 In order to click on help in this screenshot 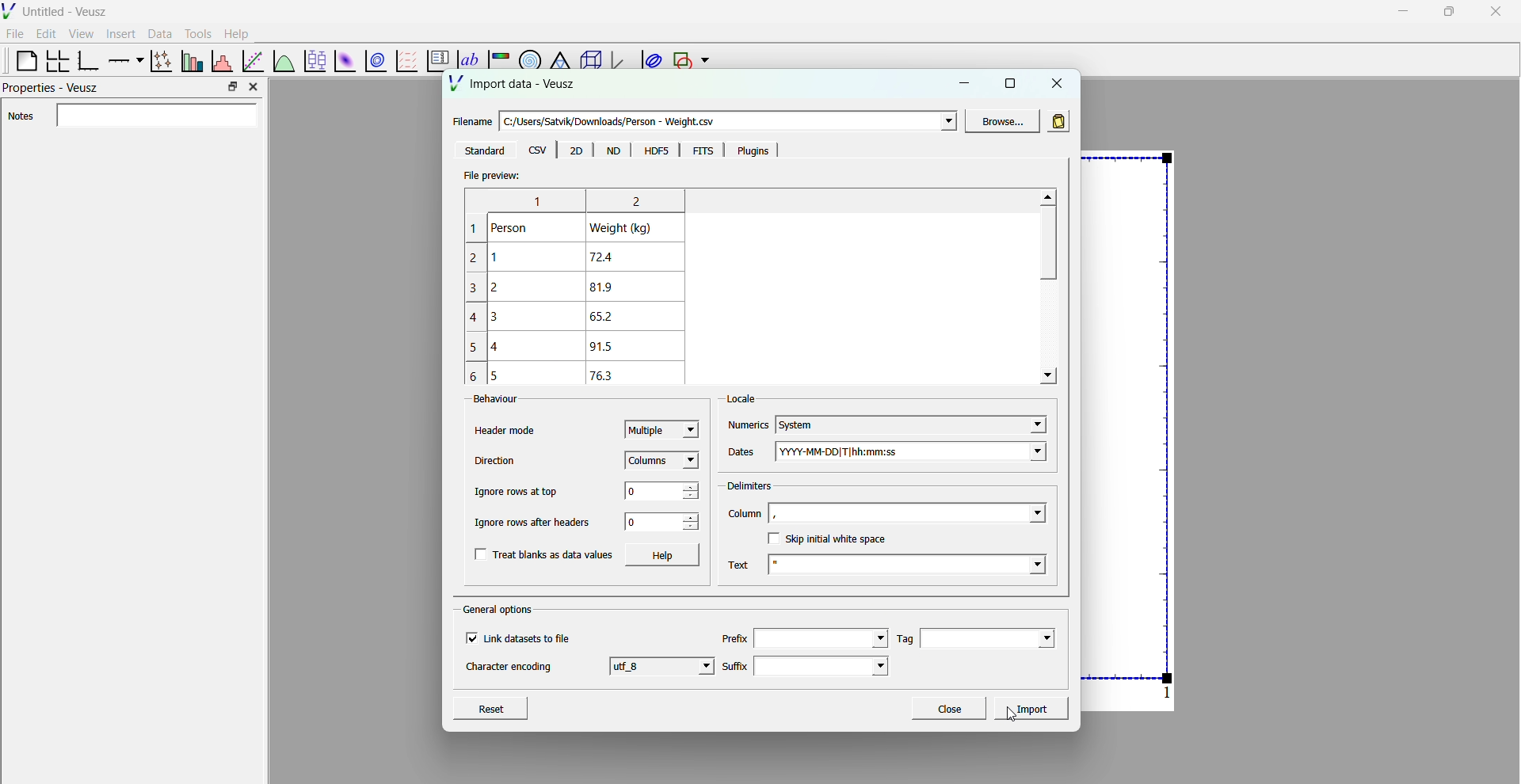, I will do `click(237, 32)`.